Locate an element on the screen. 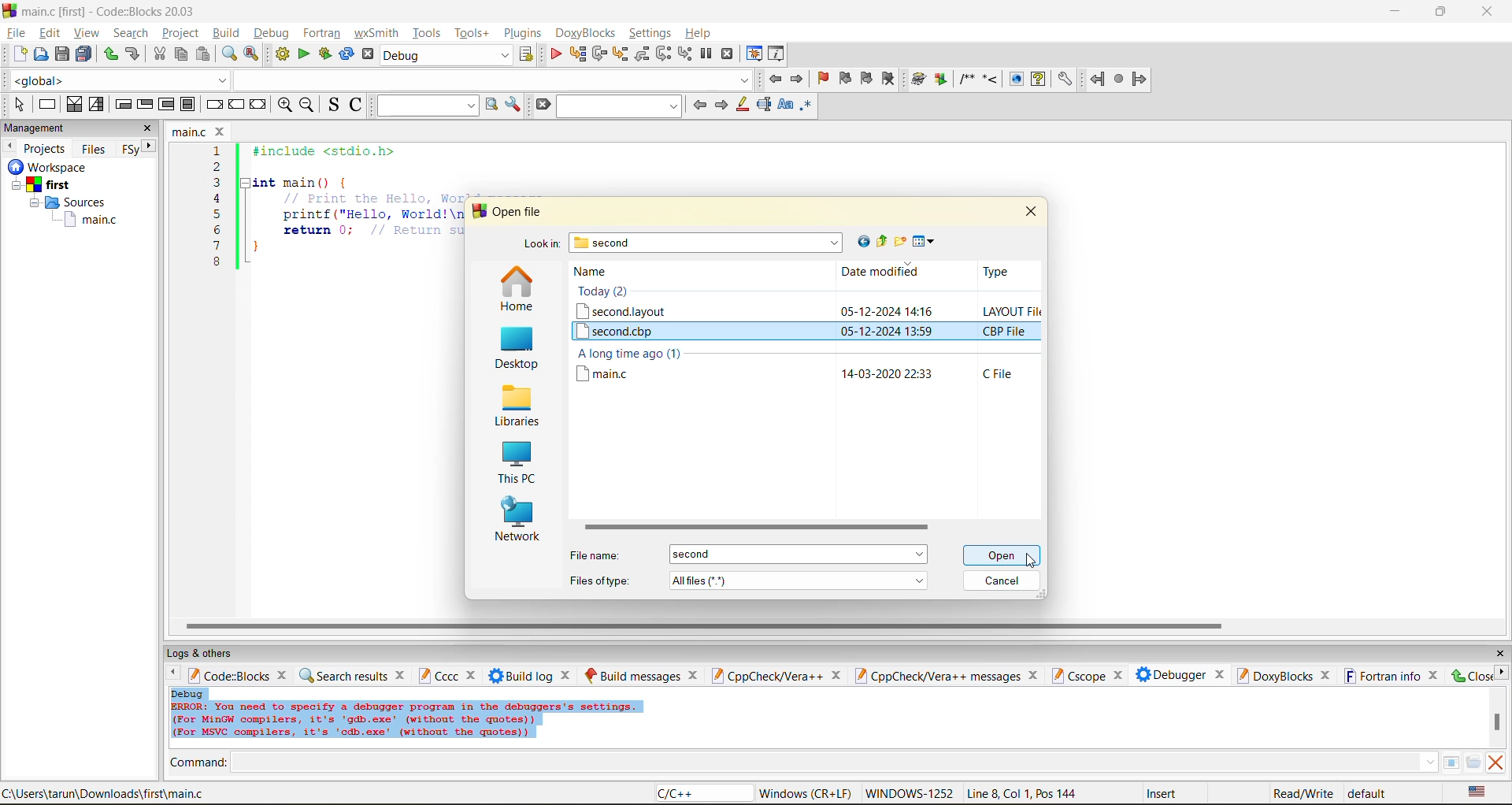 This screenshot has width=1512, height=805. file name is located at coordinates (598, 555).